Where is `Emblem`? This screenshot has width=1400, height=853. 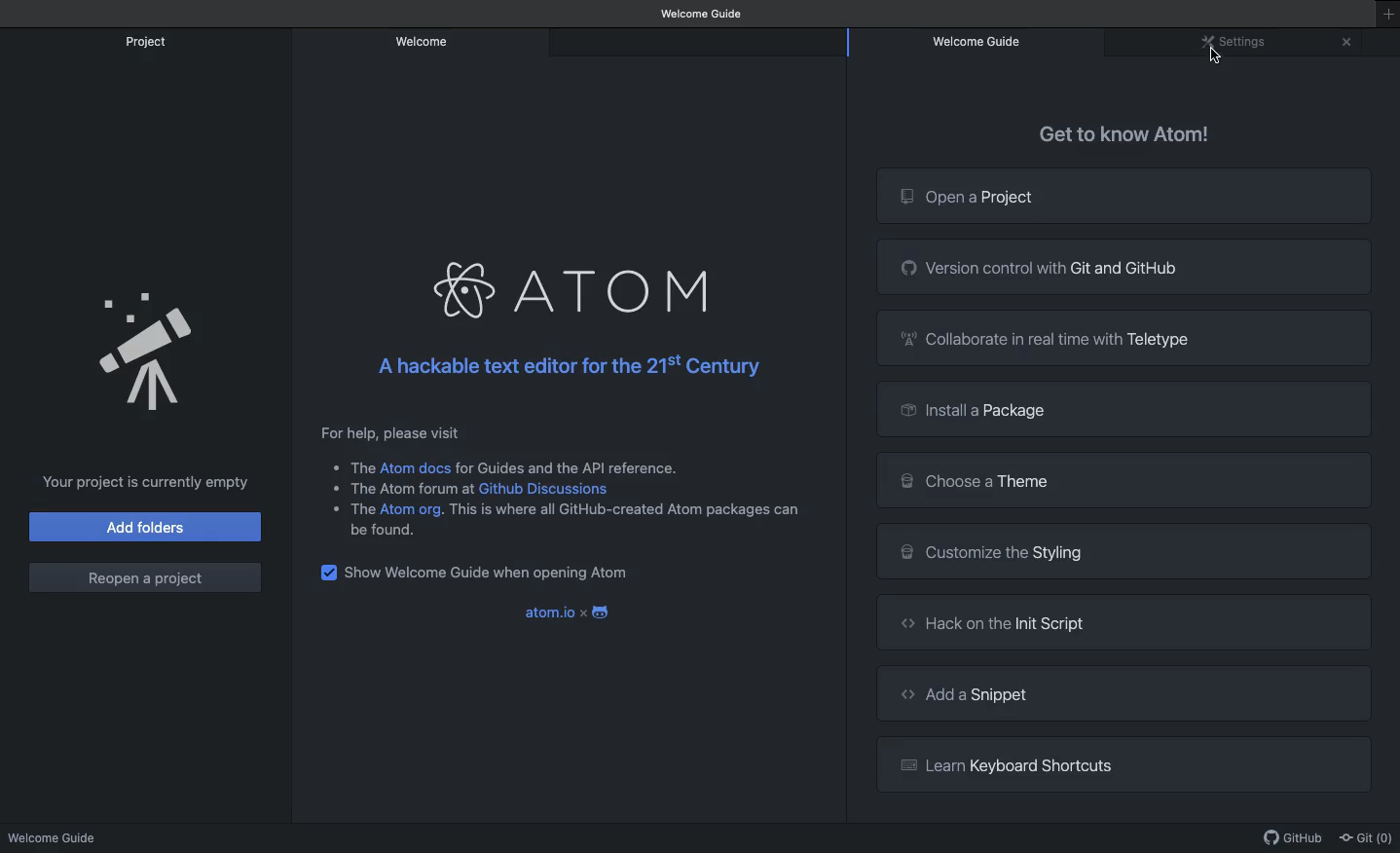
Emblem is located at coordinates (152, 353).